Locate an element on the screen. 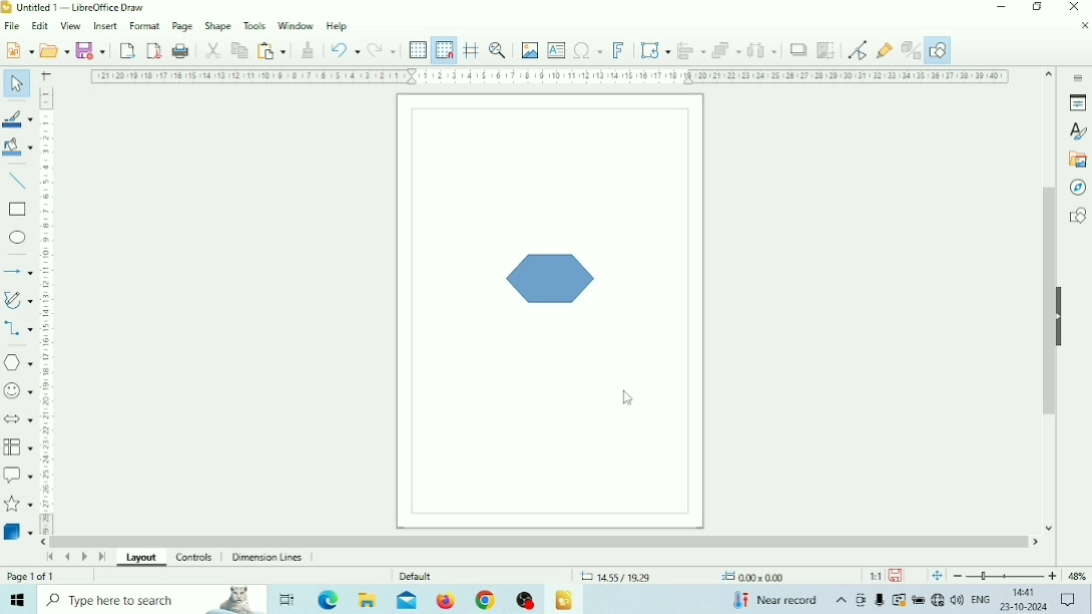 Image resolution: width=1092 pixels, height=614 pixels. Minimize is located at coordinates (1001, 7).